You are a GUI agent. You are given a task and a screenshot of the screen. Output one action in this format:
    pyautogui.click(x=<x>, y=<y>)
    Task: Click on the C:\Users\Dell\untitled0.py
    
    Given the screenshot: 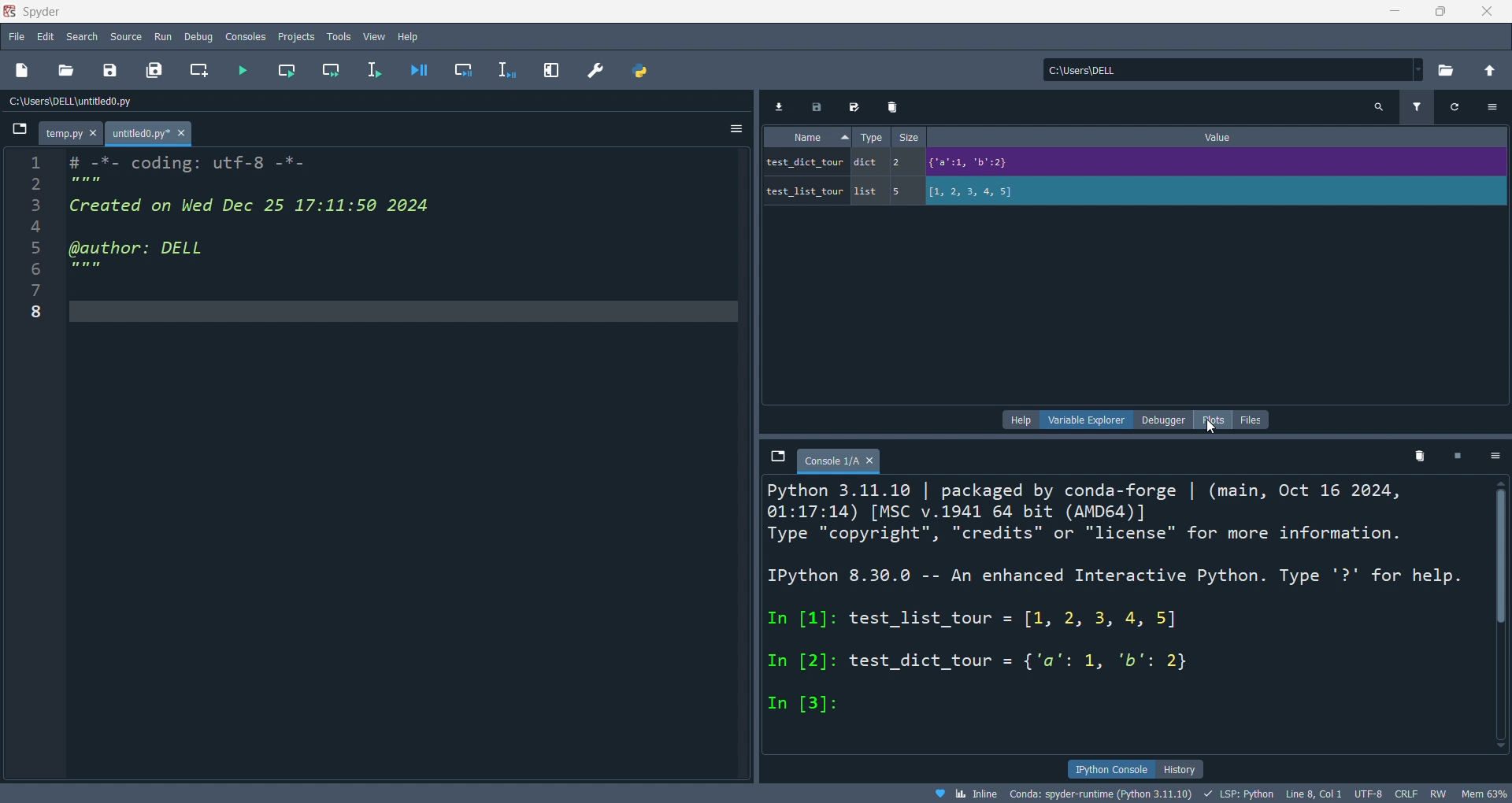 What is the action you would take?
    pyautogui.click(x=210, y=102)
    